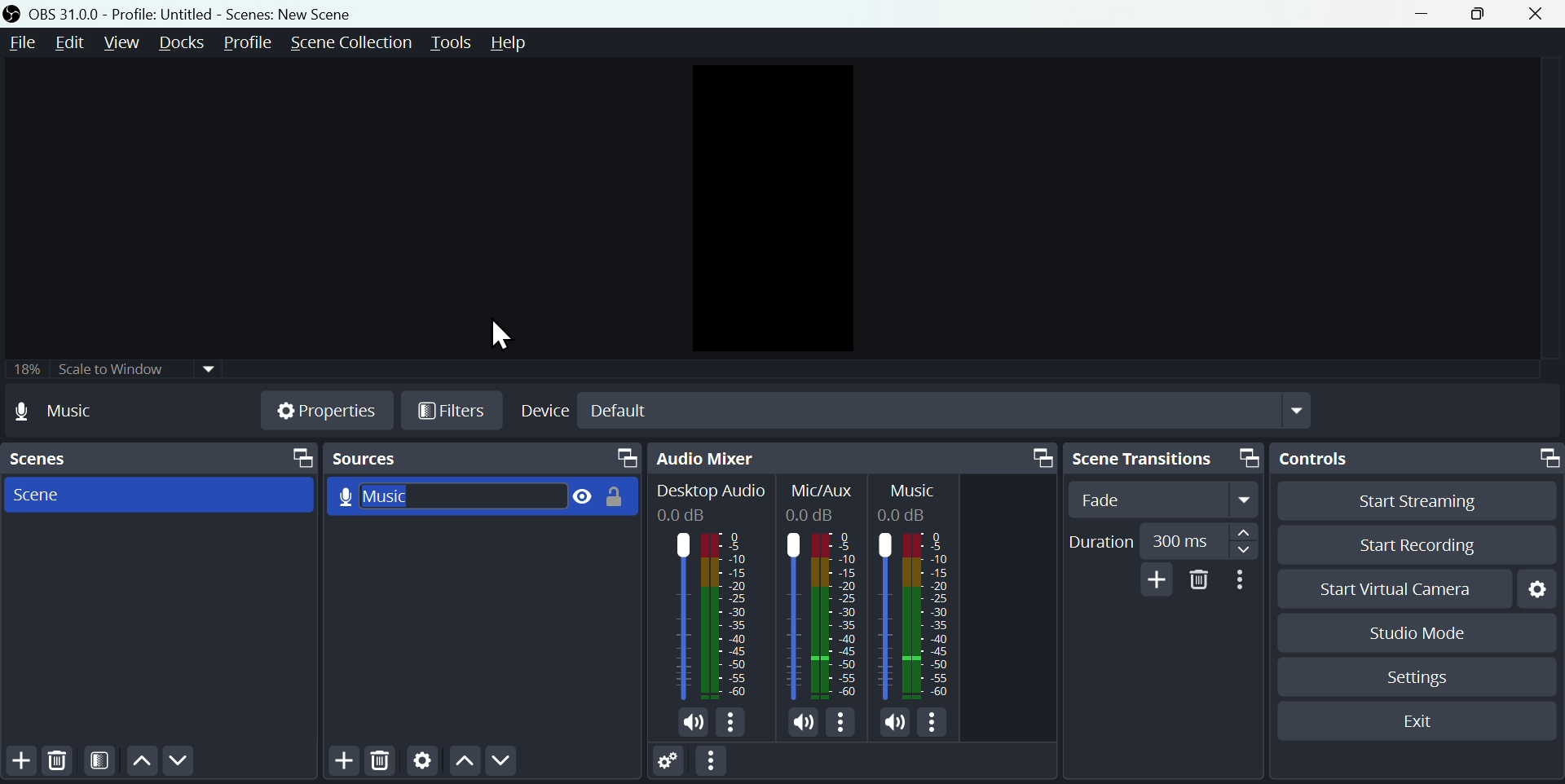  Describe the element at coordinates (488, 328) in the screenshot. I see `Cursor` at that location.